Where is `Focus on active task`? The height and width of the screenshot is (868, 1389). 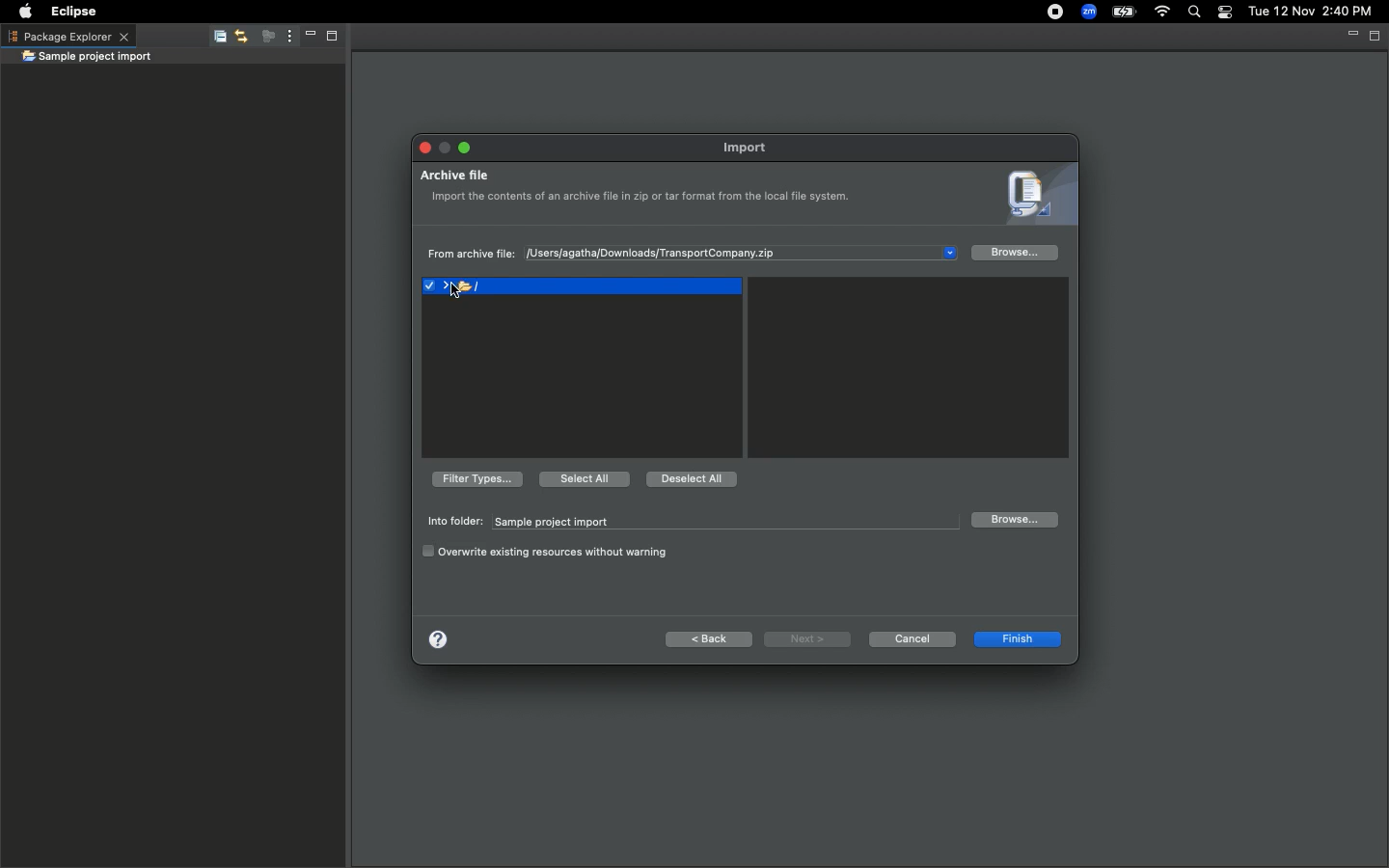 Focus on active task is located at coordinates (262, 38).